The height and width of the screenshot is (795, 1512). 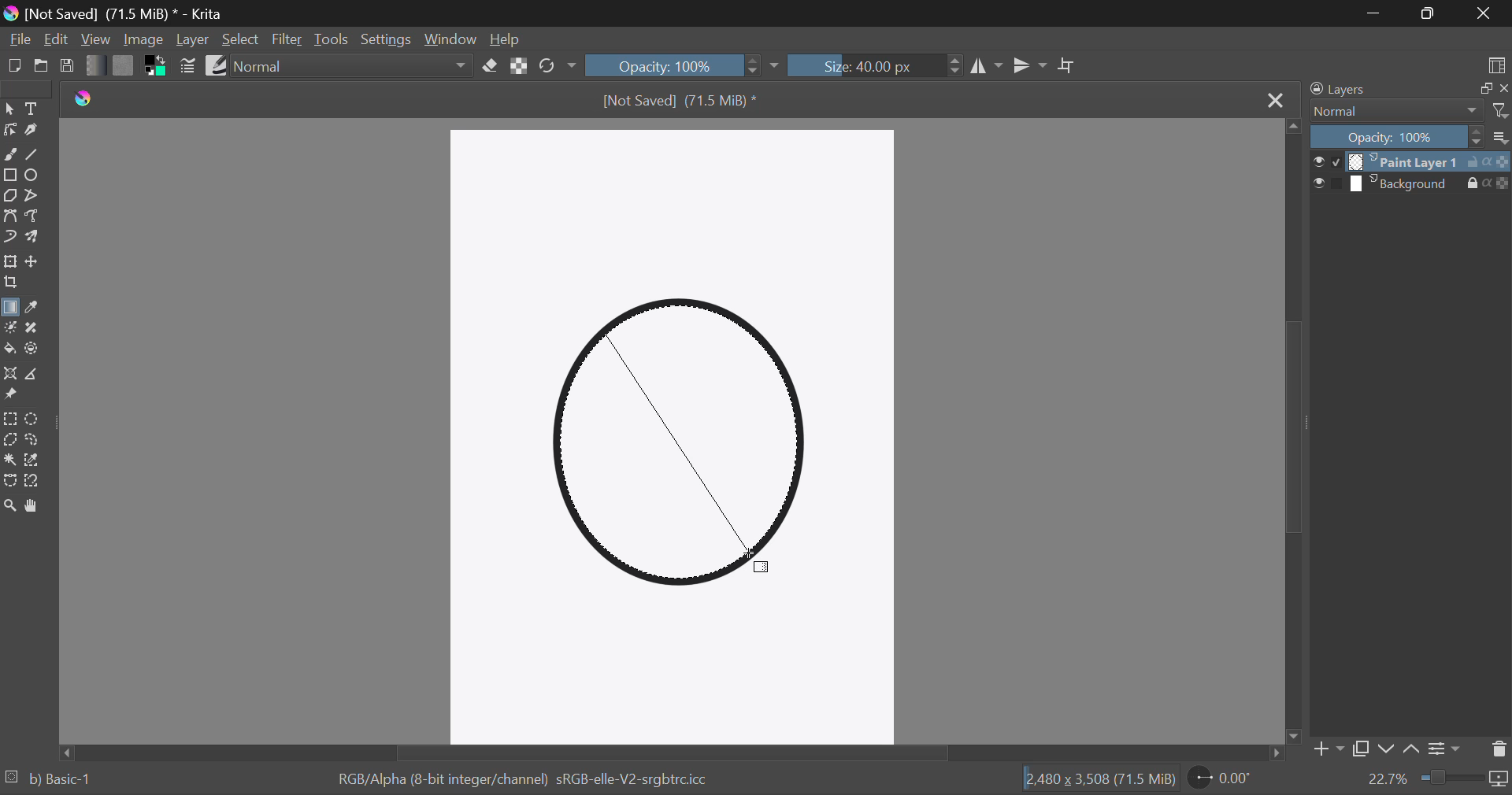 I want to click on Layers Docker, so click(x=1352, y=89).